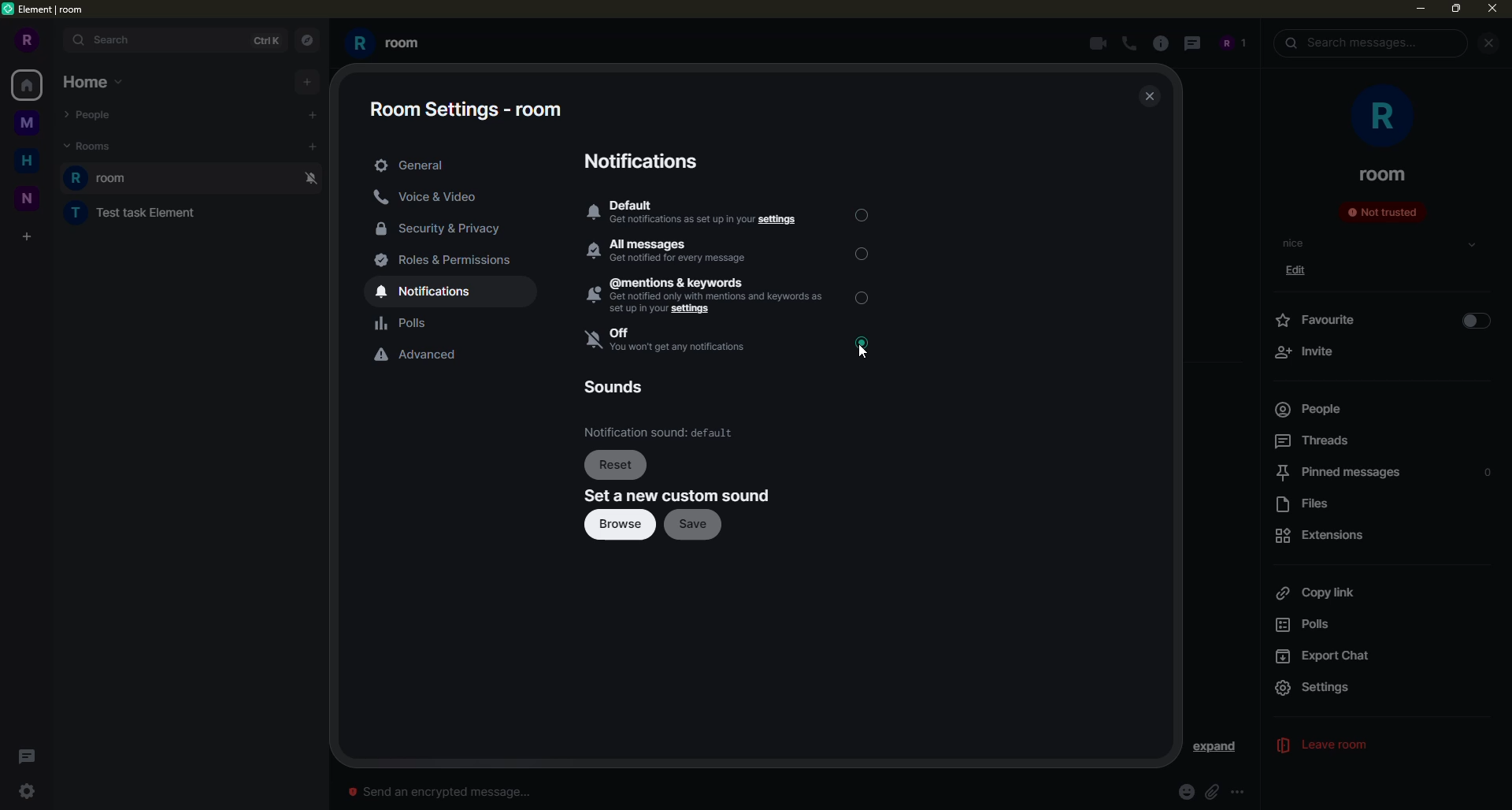 The height and width of the screenshot is (810, 1512). Describe the element at coordinates (174, 40) in the screenshot. I see `search bar` at that location.